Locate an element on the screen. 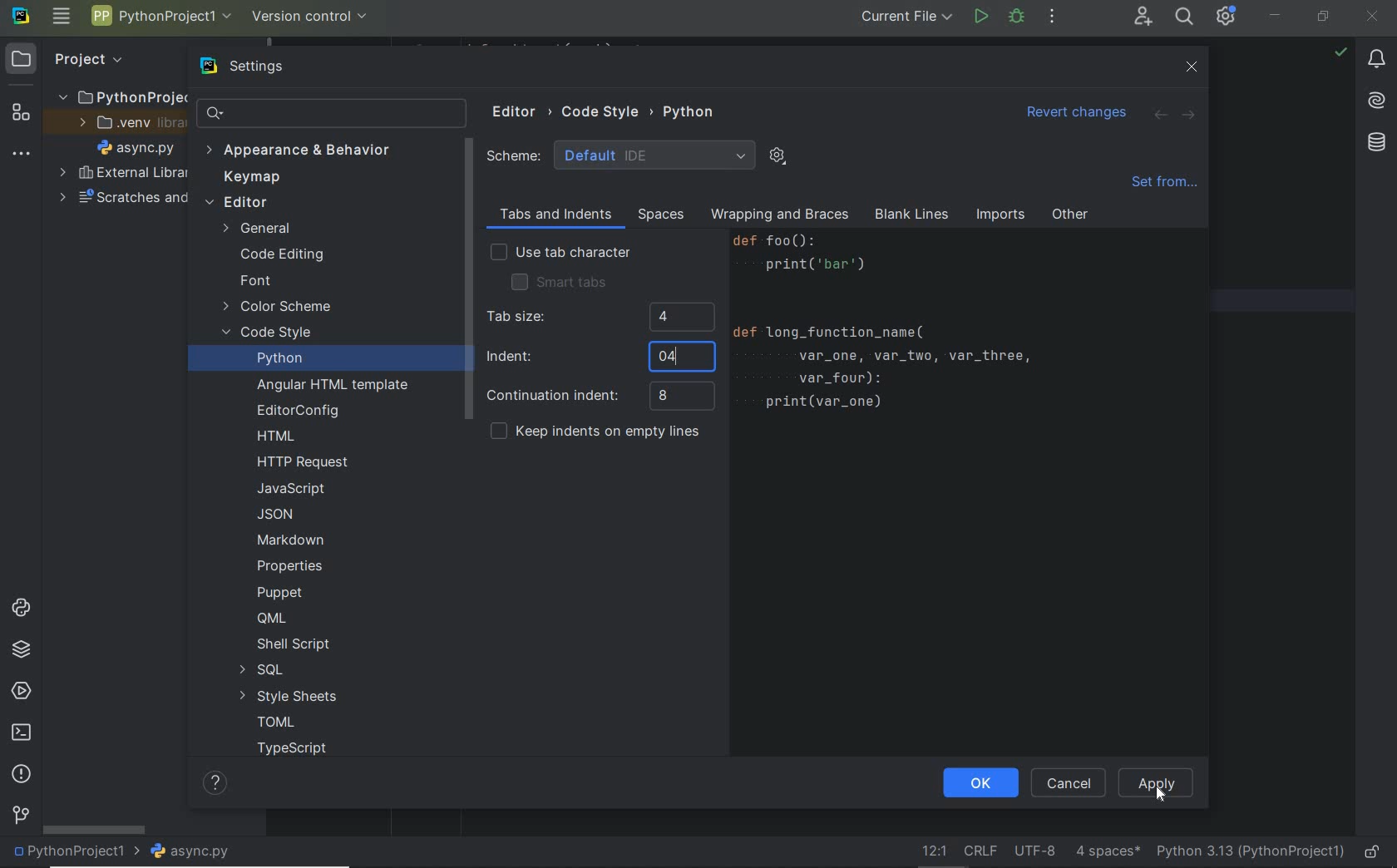  other is located at coordinates (1070, 218).